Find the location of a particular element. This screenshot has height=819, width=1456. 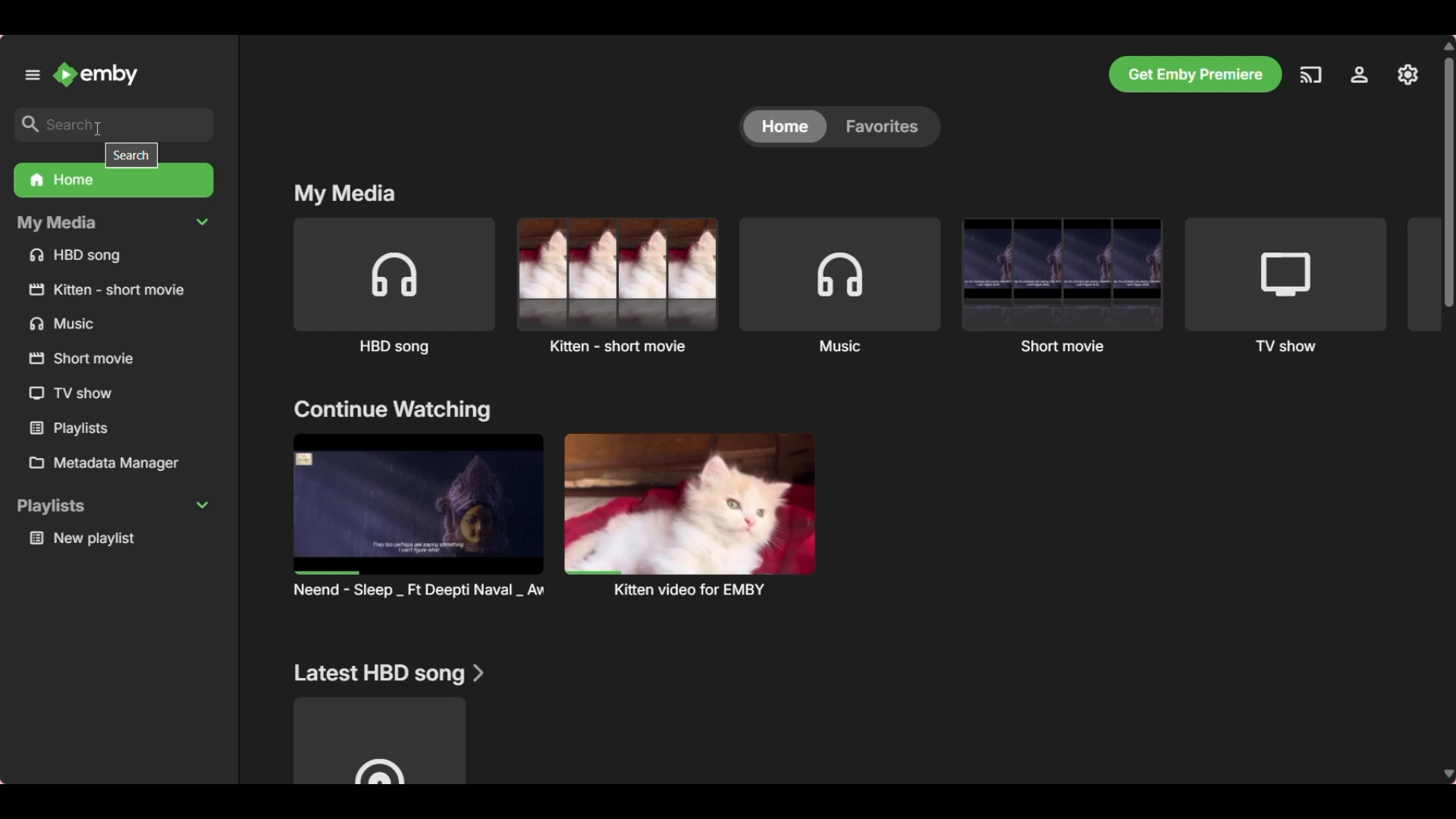

Media files under My Media is located at coordinates (115, 254).